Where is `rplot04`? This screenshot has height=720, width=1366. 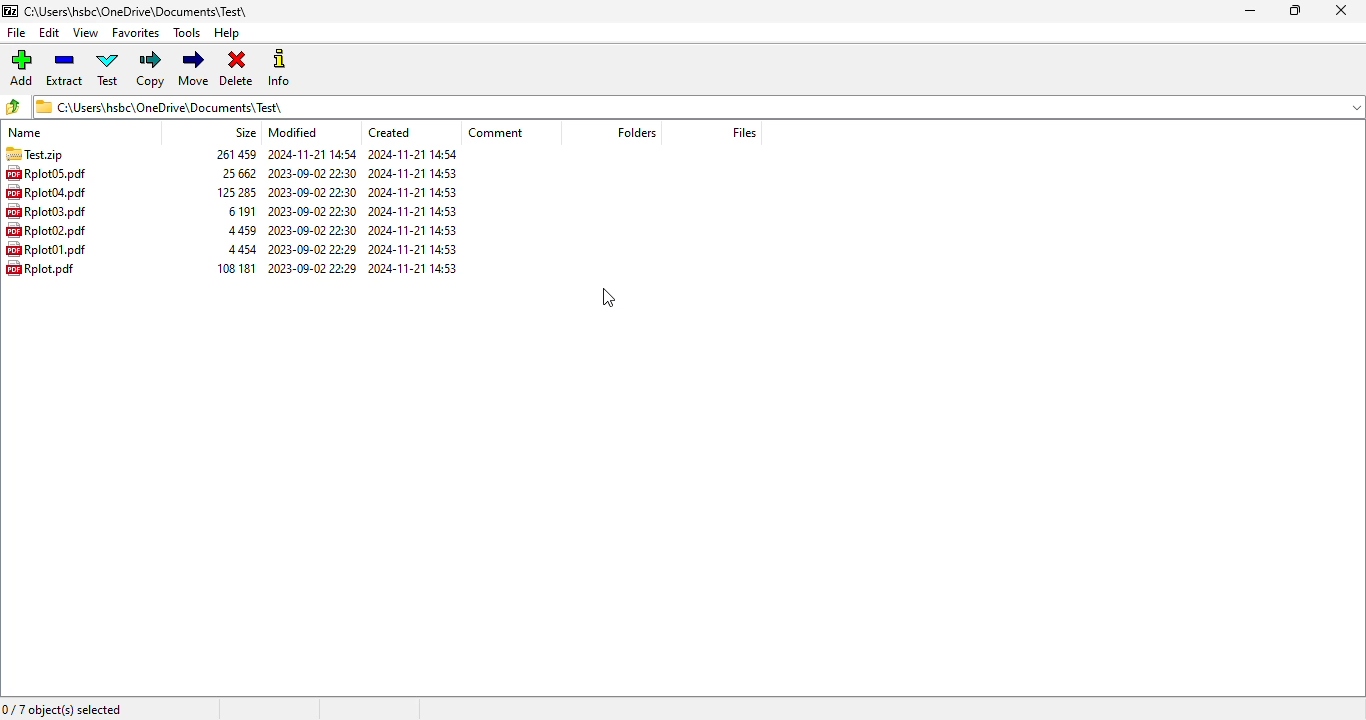 rplot04 is located at coordinates (46, 191).